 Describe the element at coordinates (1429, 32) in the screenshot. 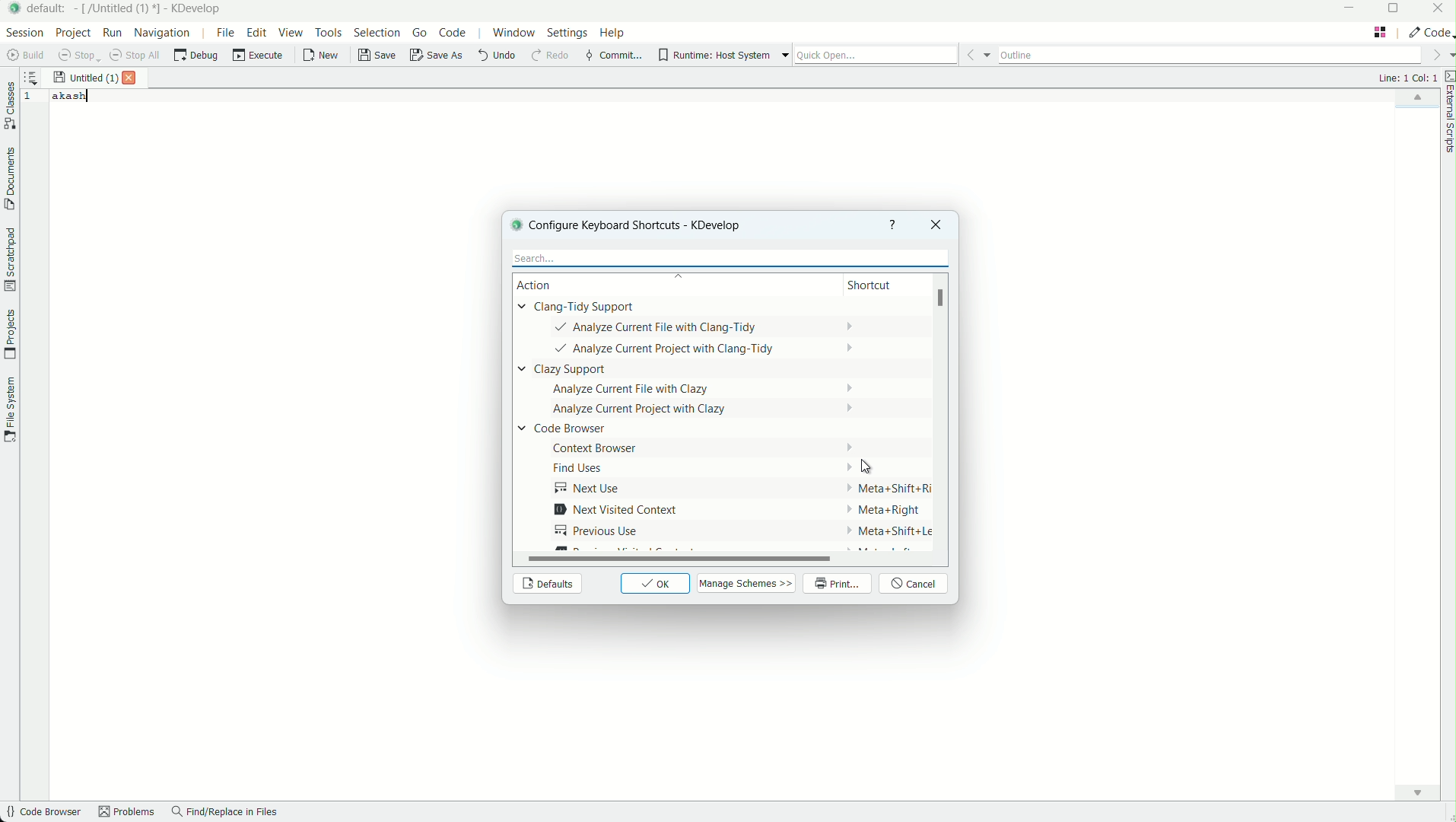

I see `execute actions to change the area` at that location.